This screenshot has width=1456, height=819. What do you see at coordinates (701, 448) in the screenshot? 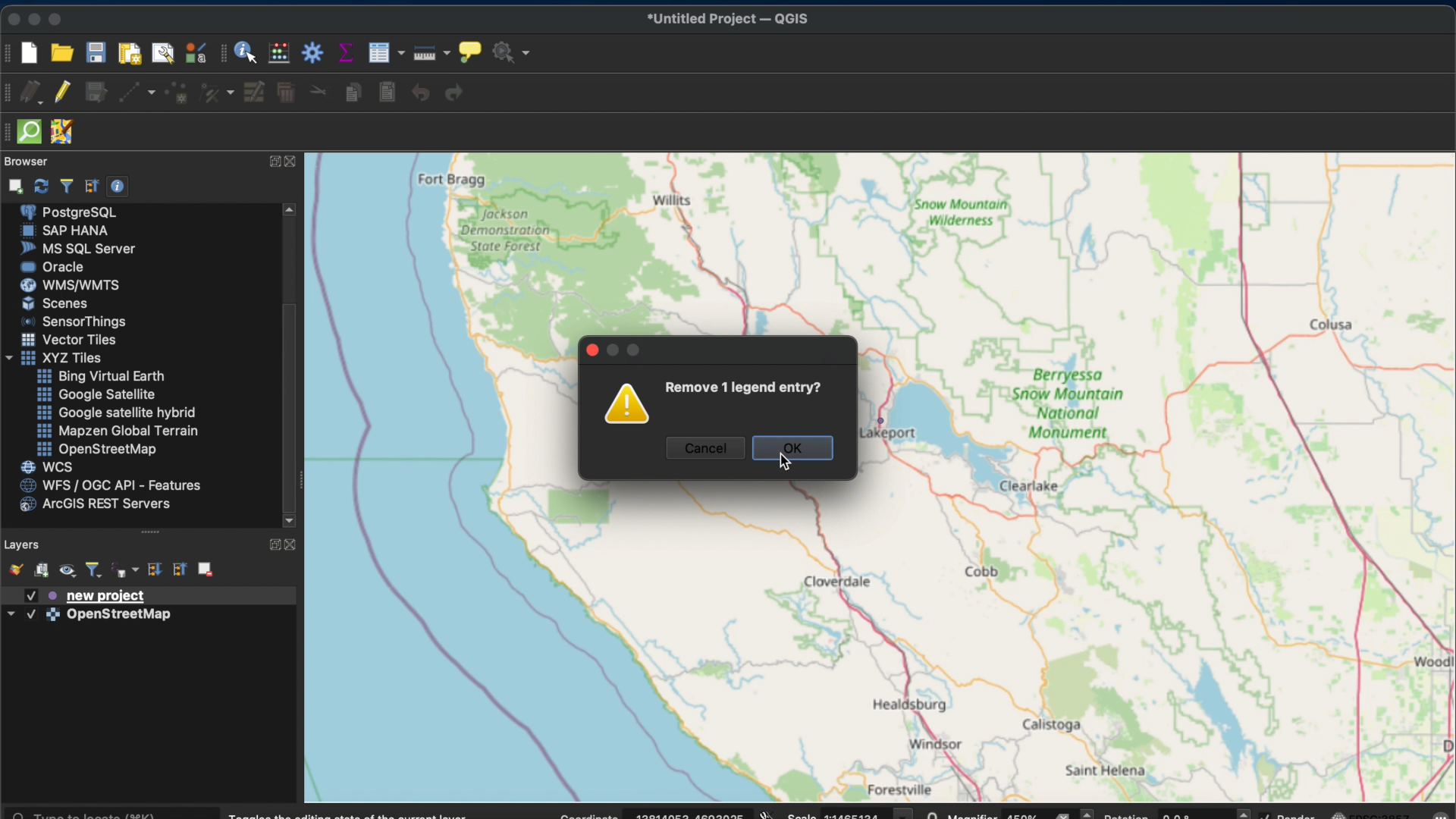
I see `cancel button` at bounding box center [701, 448].